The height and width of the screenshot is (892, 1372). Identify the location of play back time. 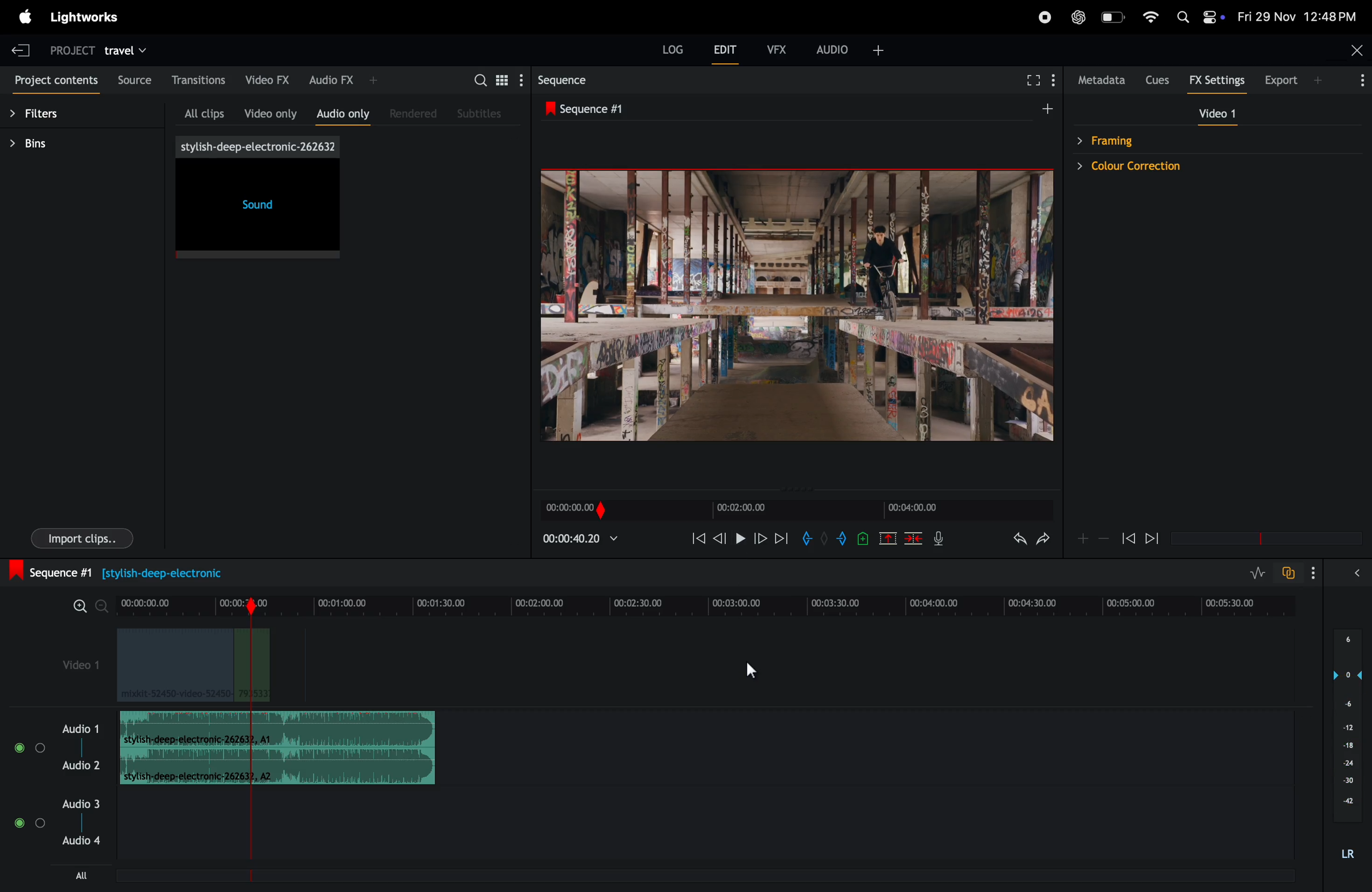
(581, 538).